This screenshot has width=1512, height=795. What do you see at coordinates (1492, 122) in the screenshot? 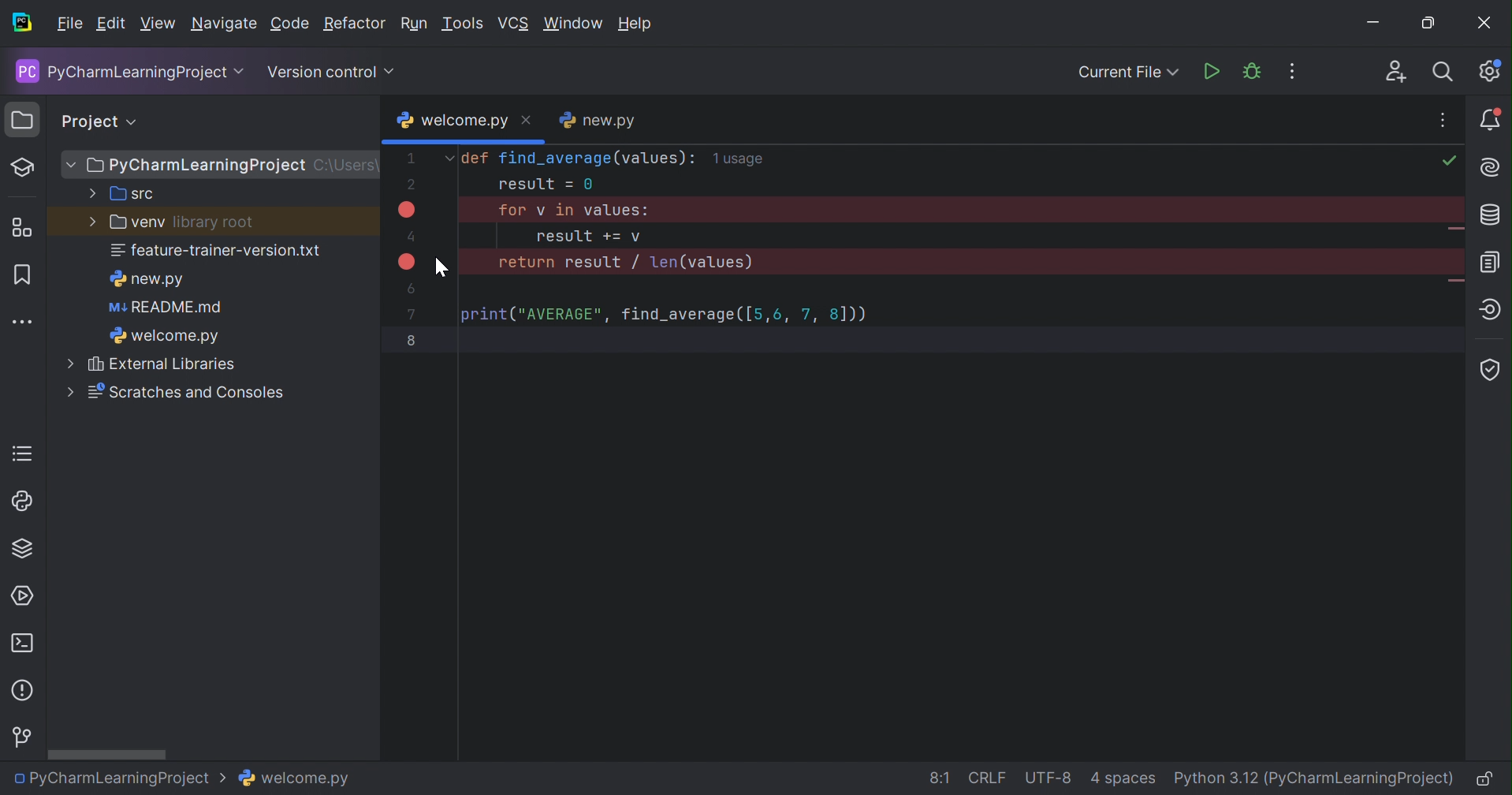
I see `Notifications` at bounding box center [1492, 122].